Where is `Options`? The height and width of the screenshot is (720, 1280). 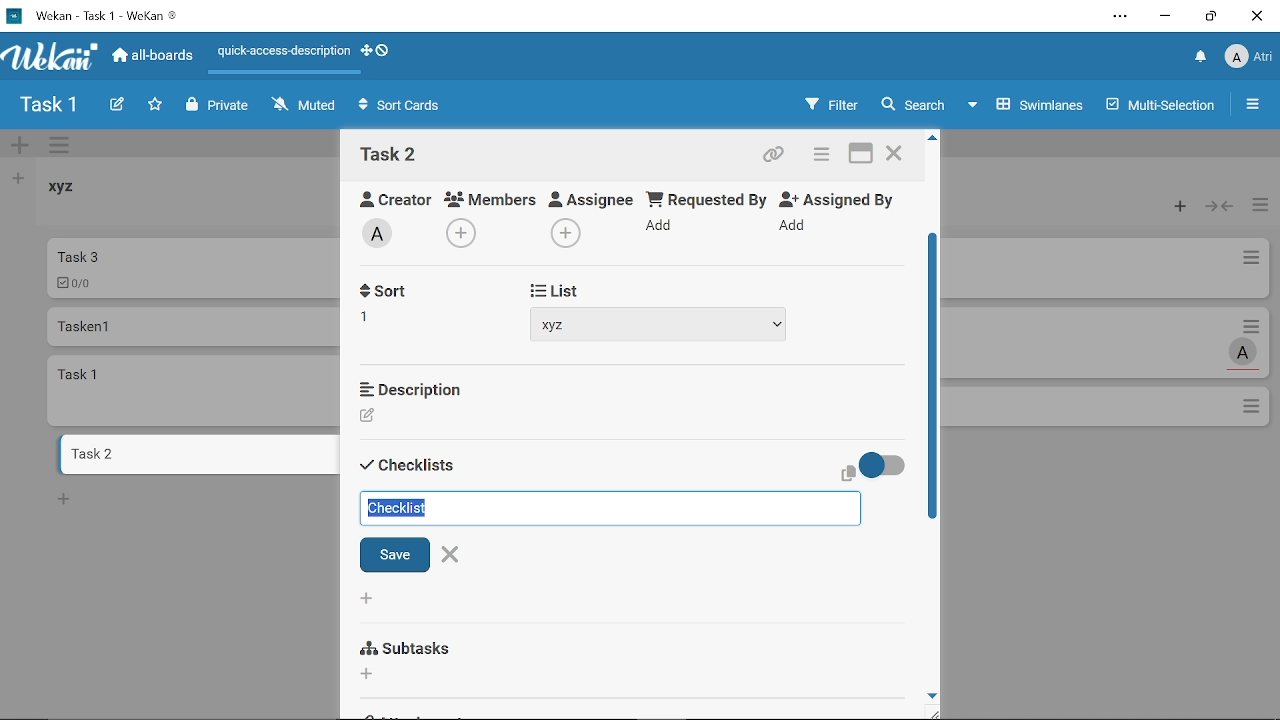 Options is located at coordinates (1253, 408).